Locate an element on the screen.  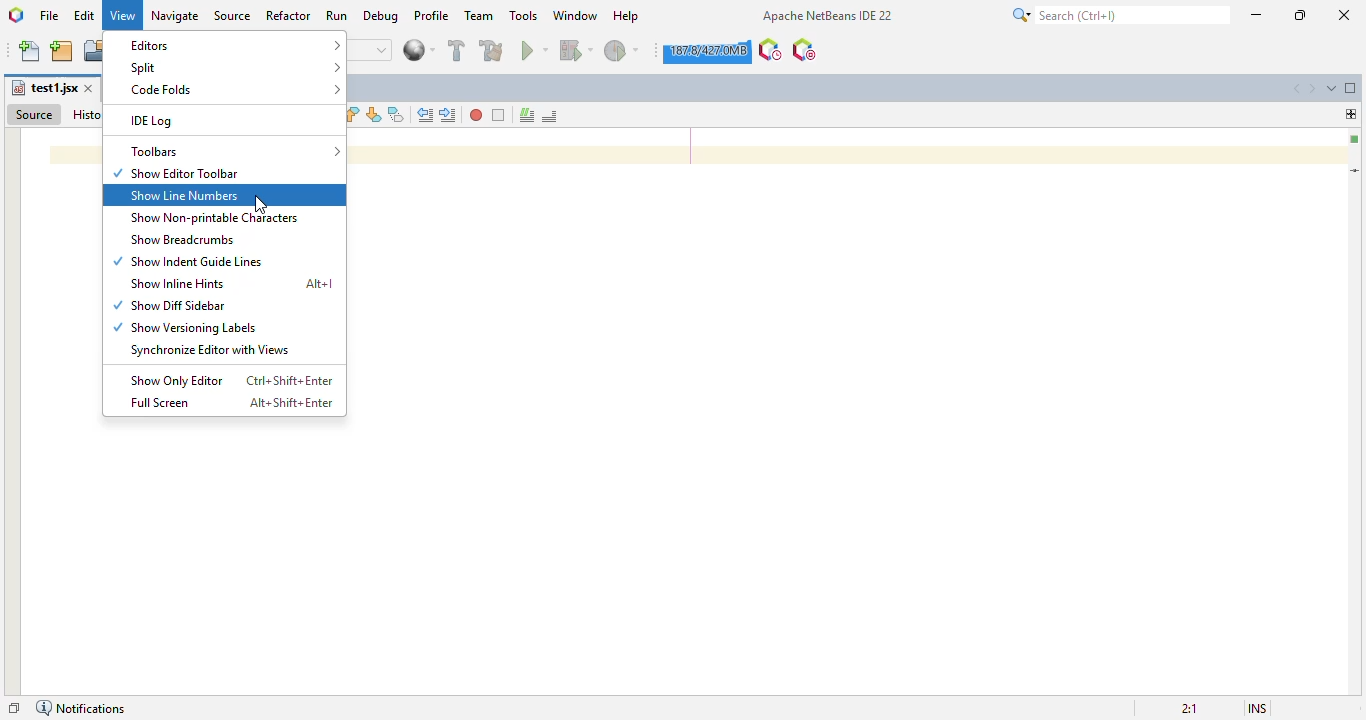
team is located at coordinates (480, 15).